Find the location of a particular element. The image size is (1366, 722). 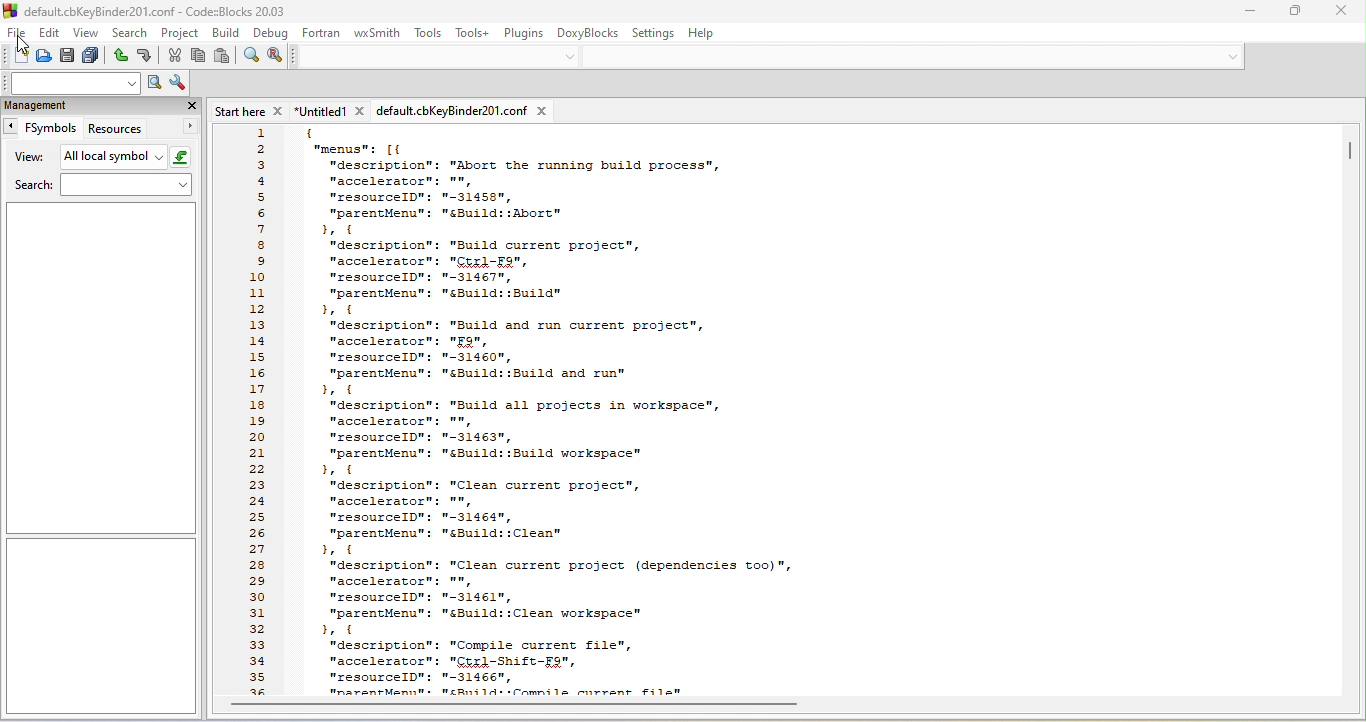

undo is located at coordinates (119, 56).